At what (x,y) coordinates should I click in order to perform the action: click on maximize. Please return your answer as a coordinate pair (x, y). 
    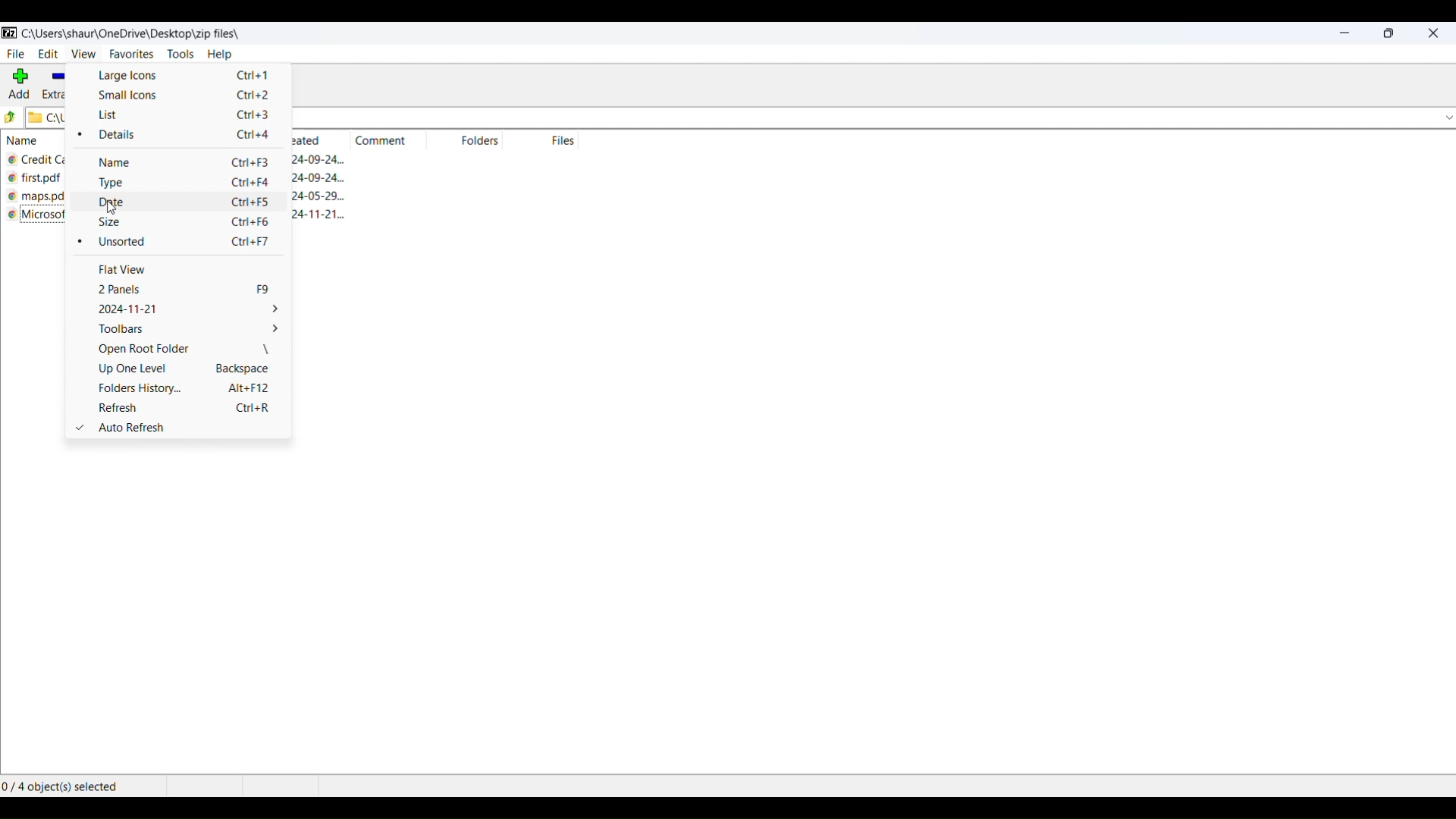
    Looking at the image, I should click on (1391, 33).